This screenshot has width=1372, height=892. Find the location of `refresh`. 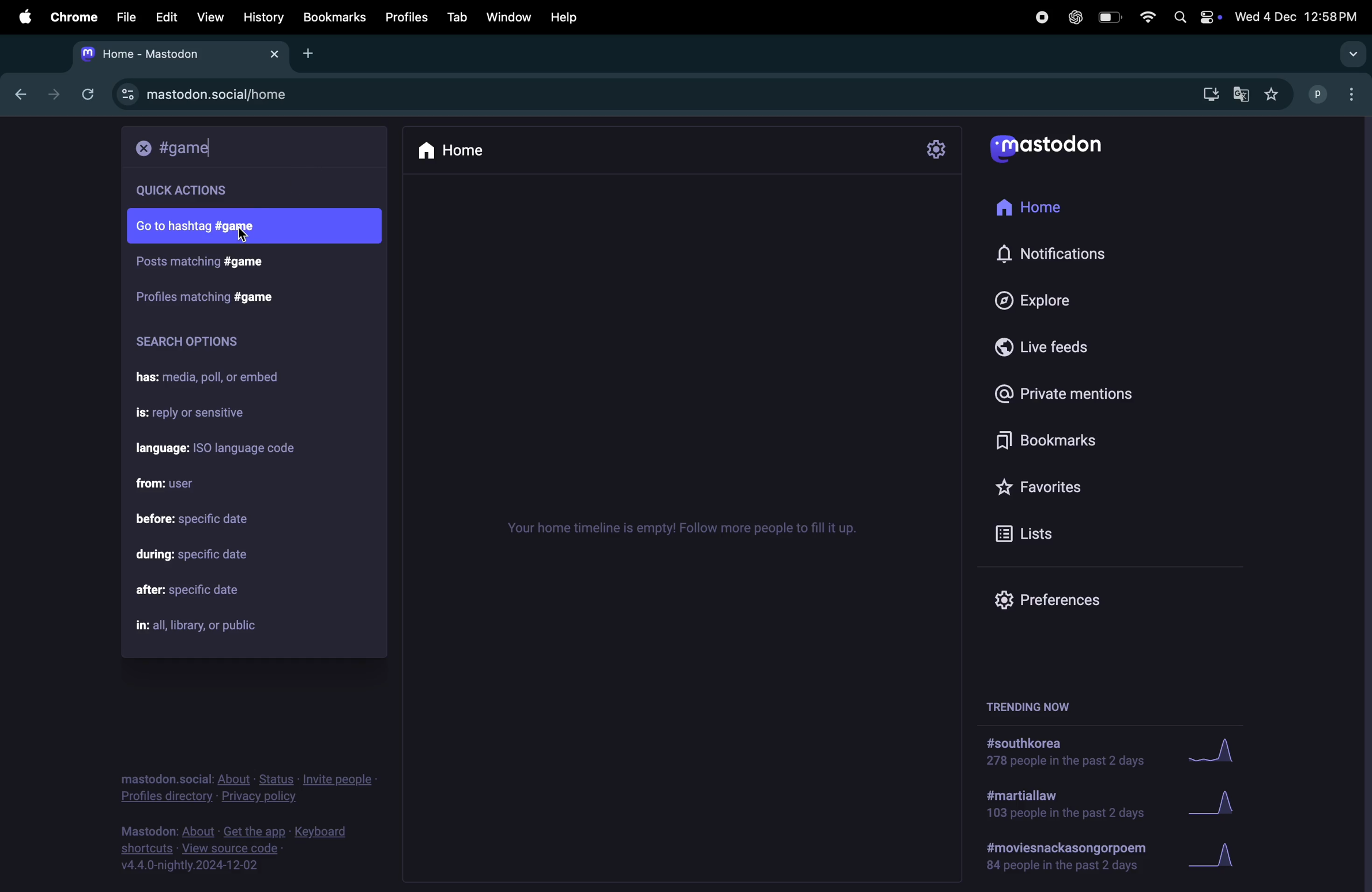

refresh is located at coordinates (86, 94).